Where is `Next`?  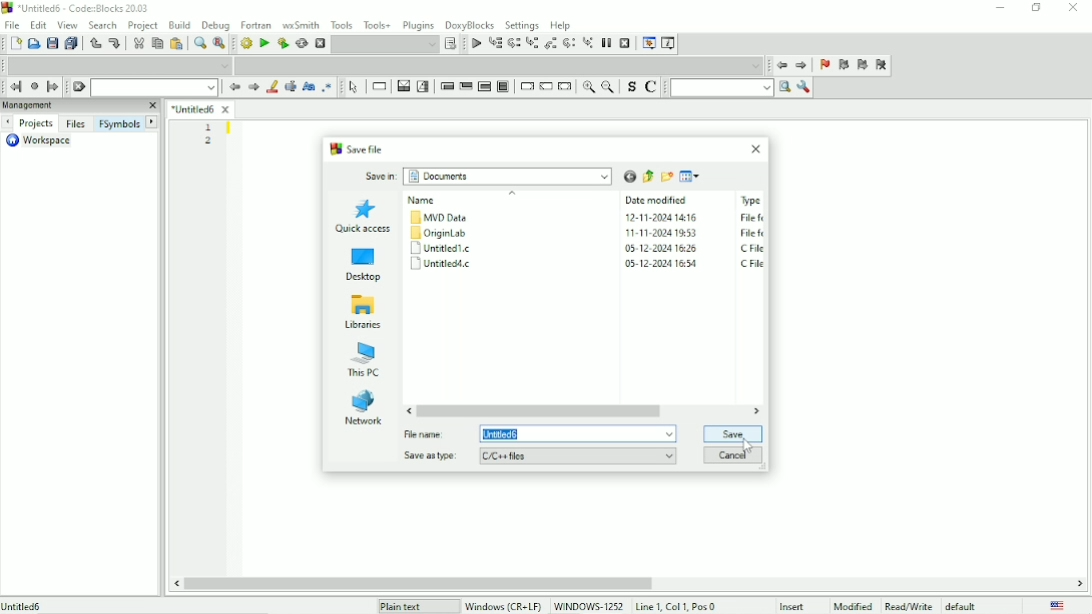
Next is located at coordinates (152, 121).